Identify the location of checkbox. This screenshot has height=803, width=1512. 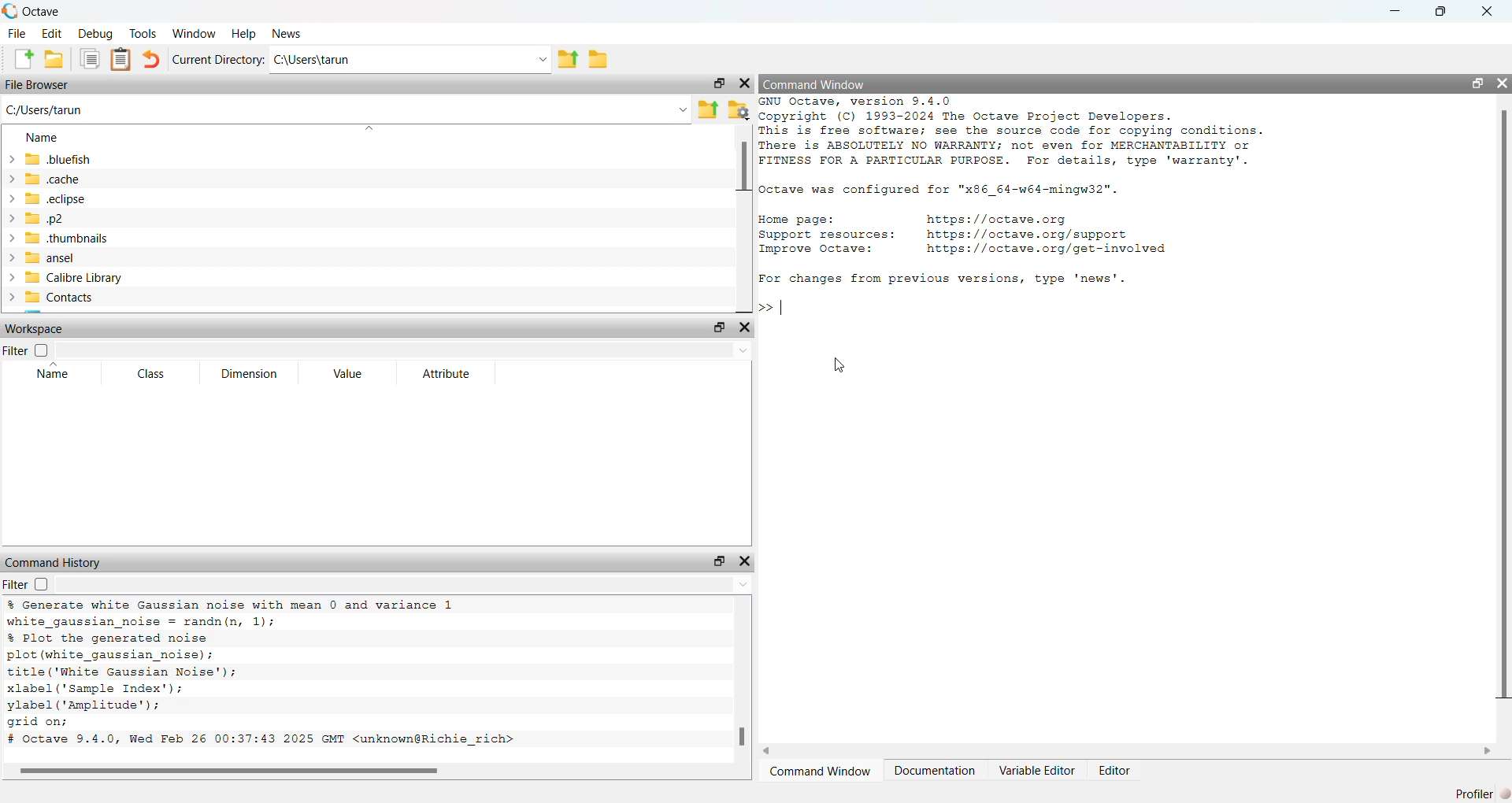
(46, 350).